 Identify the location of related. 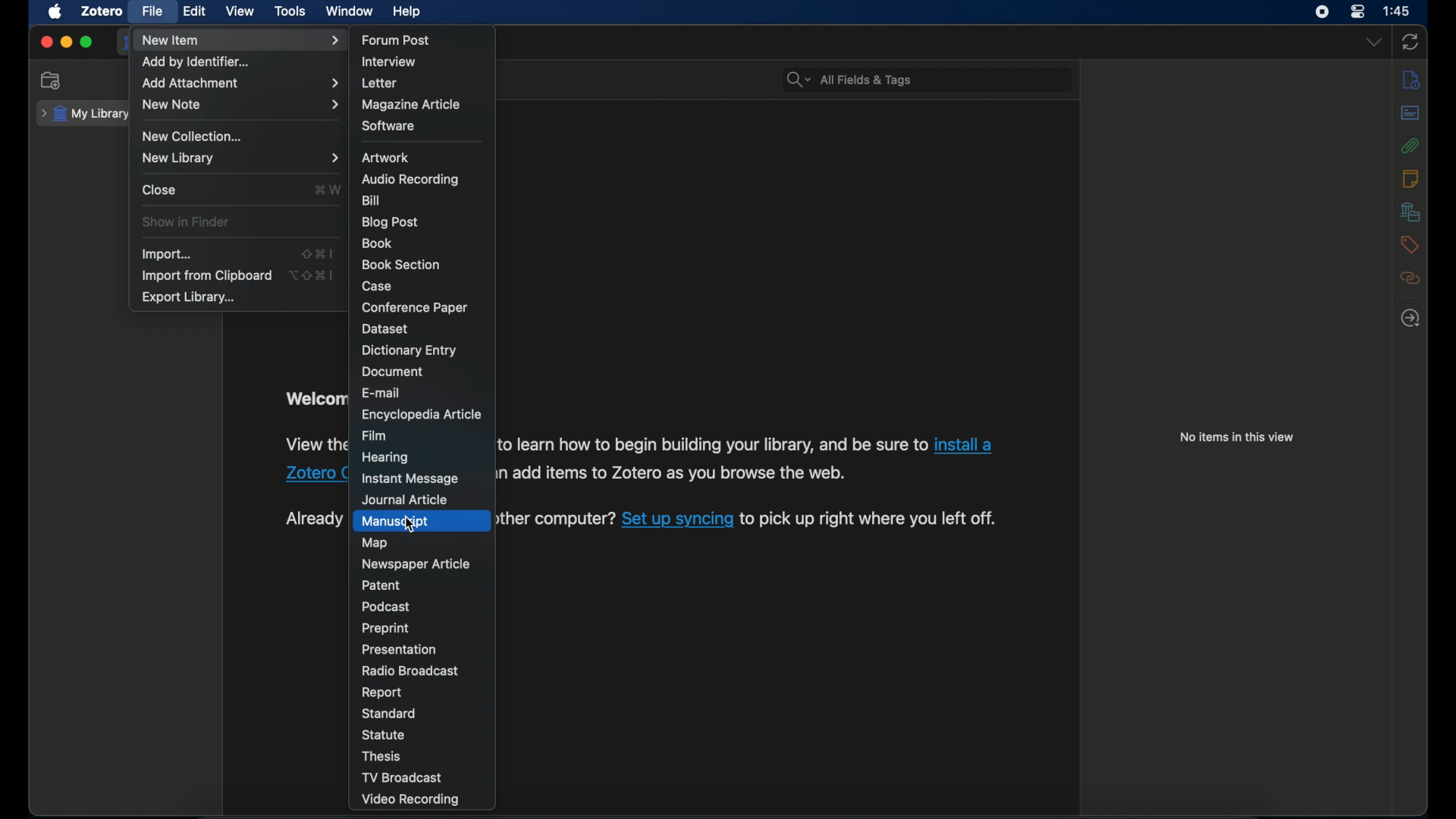
(1410, 278).